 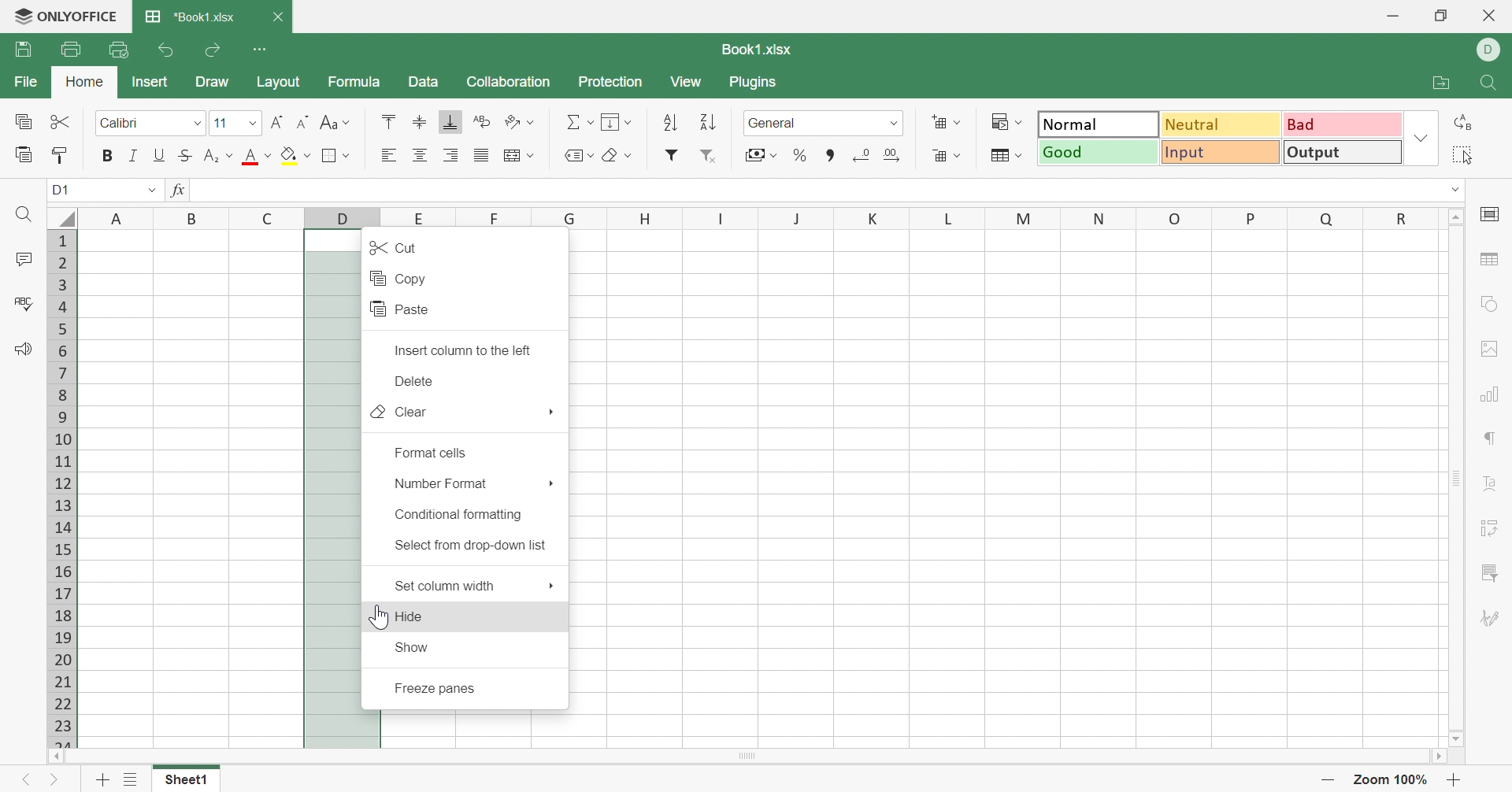 What do you see at coordinates (61, 156) in the screenshot?
I see `Copy Style` at bounding box center [61, 156].